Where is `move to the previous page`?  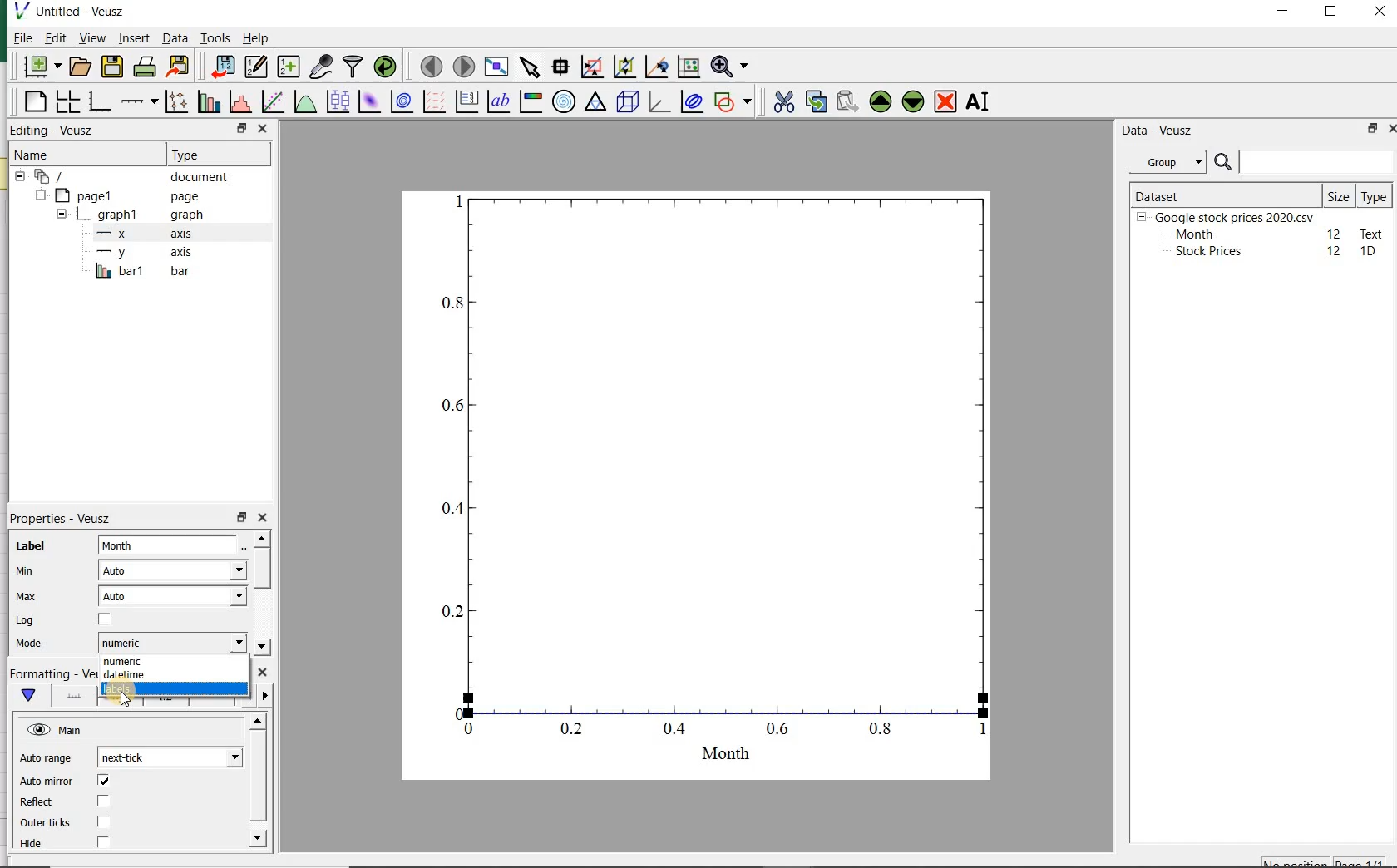
move to the previous page is located at coordinates (429, 65).